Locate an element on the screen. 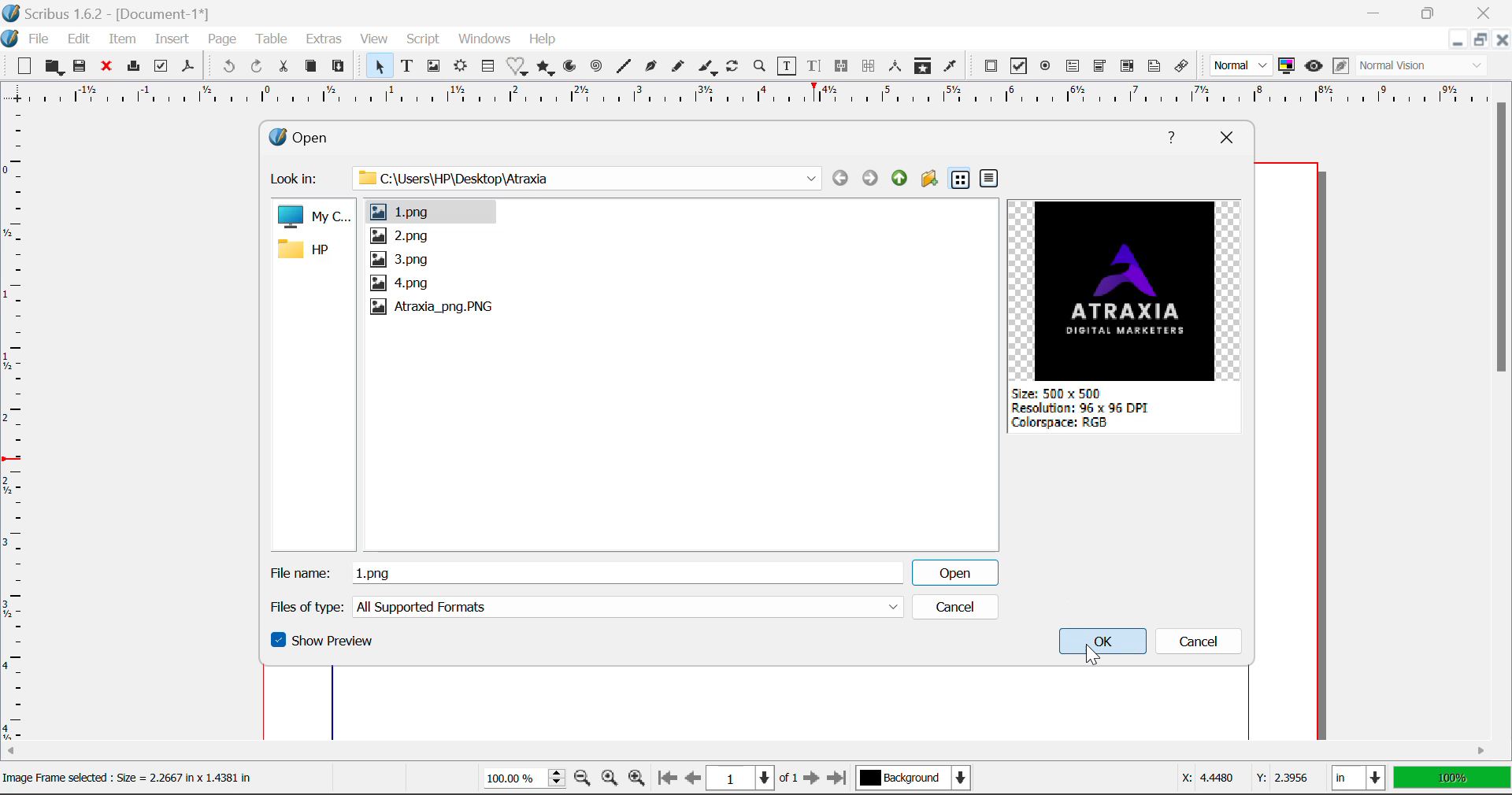 The width and height of the screenshot is (1512, 795). Atraxia_png.PNG is located at coordinates (432, 308).